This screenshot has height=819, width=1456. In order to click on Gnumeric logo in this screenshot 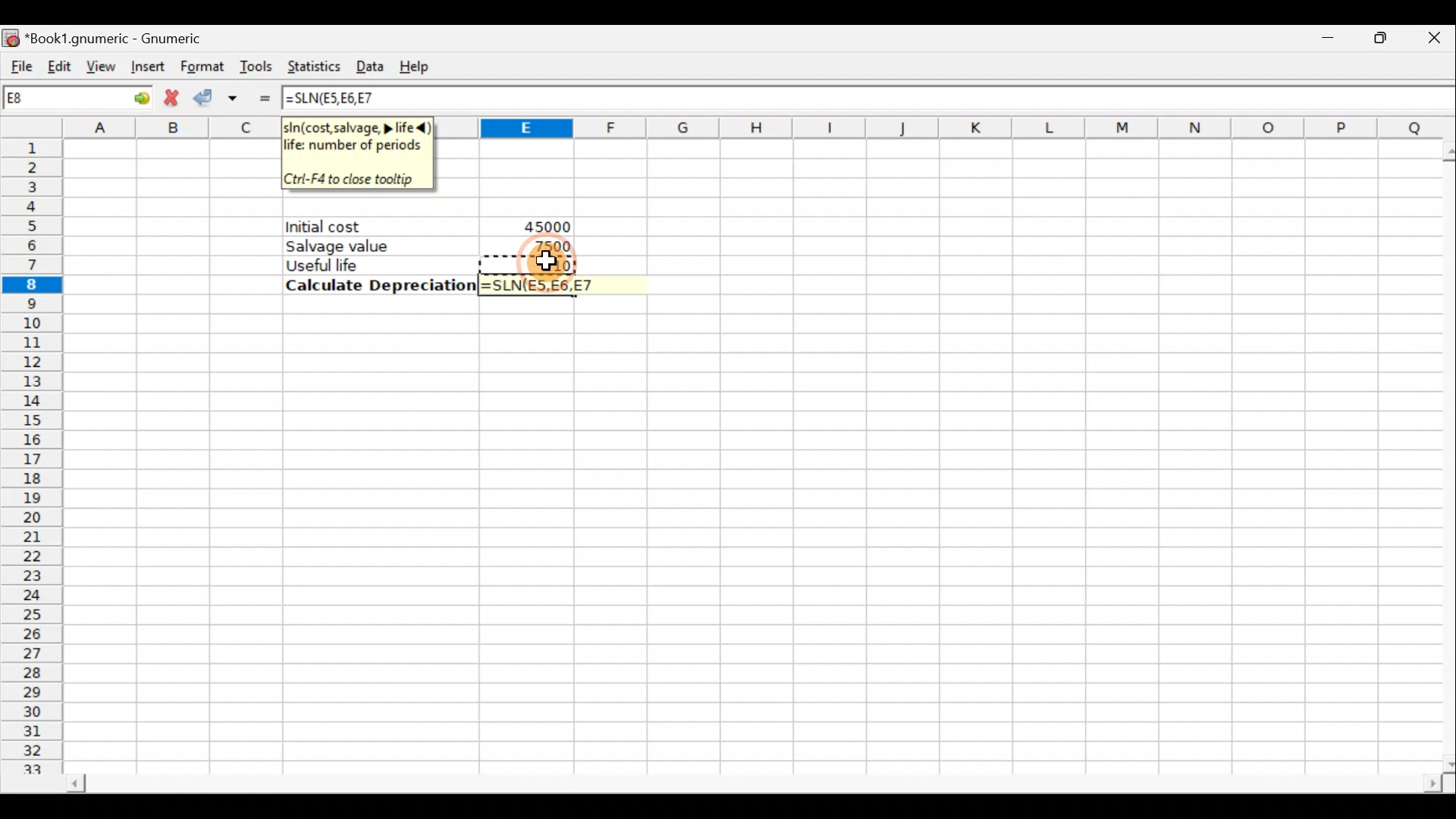, I will do `click(12, 35)`.